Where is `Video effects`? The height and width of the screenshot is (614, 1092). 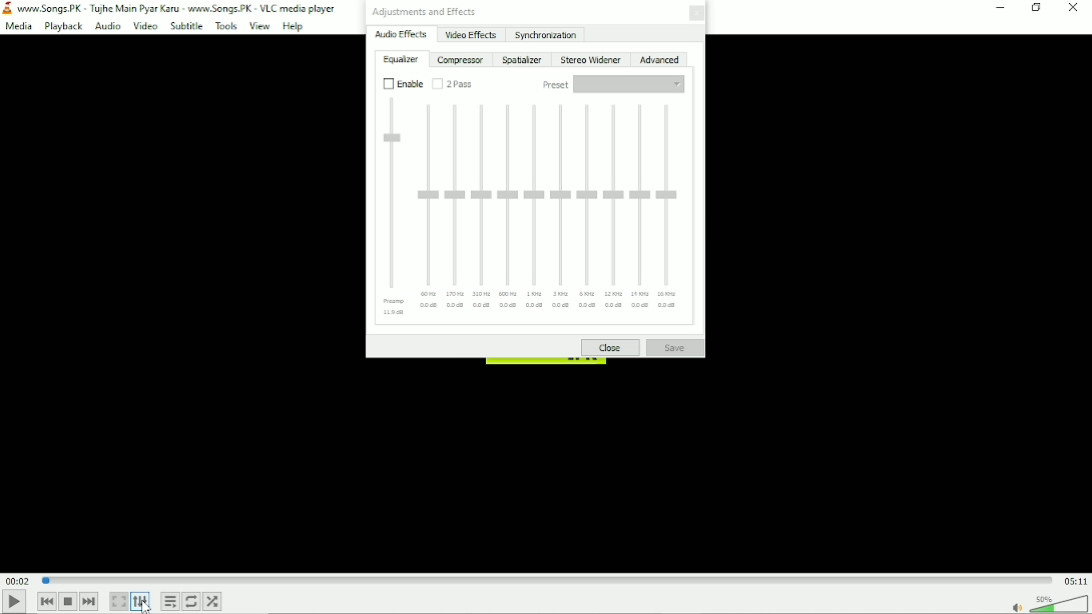 Video effects is located at coordinates (469, 34).